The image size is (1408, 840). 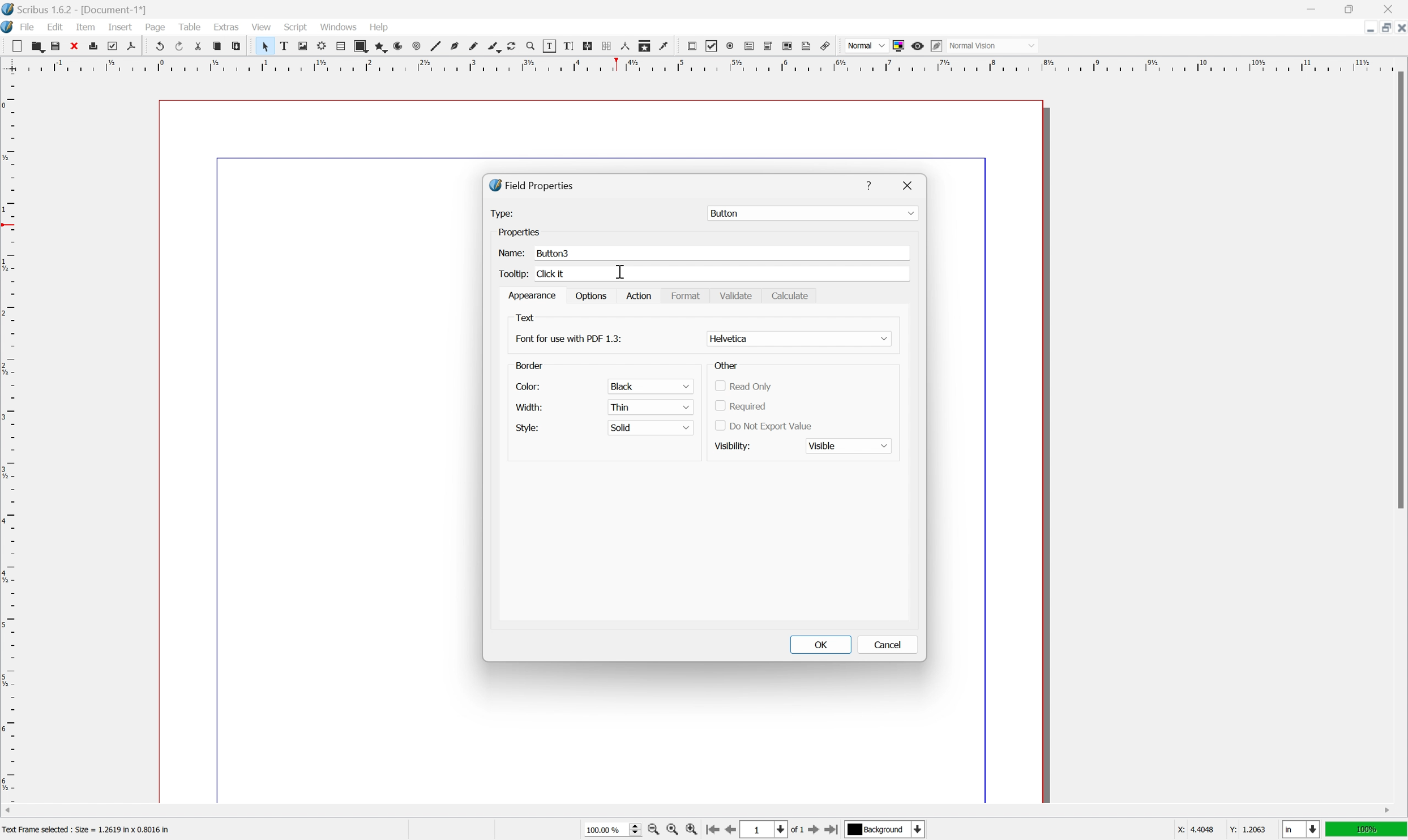 What do you see at coordinates (650, 428) in the screenshot?
I see `solid` at bounding box center [650, 428].